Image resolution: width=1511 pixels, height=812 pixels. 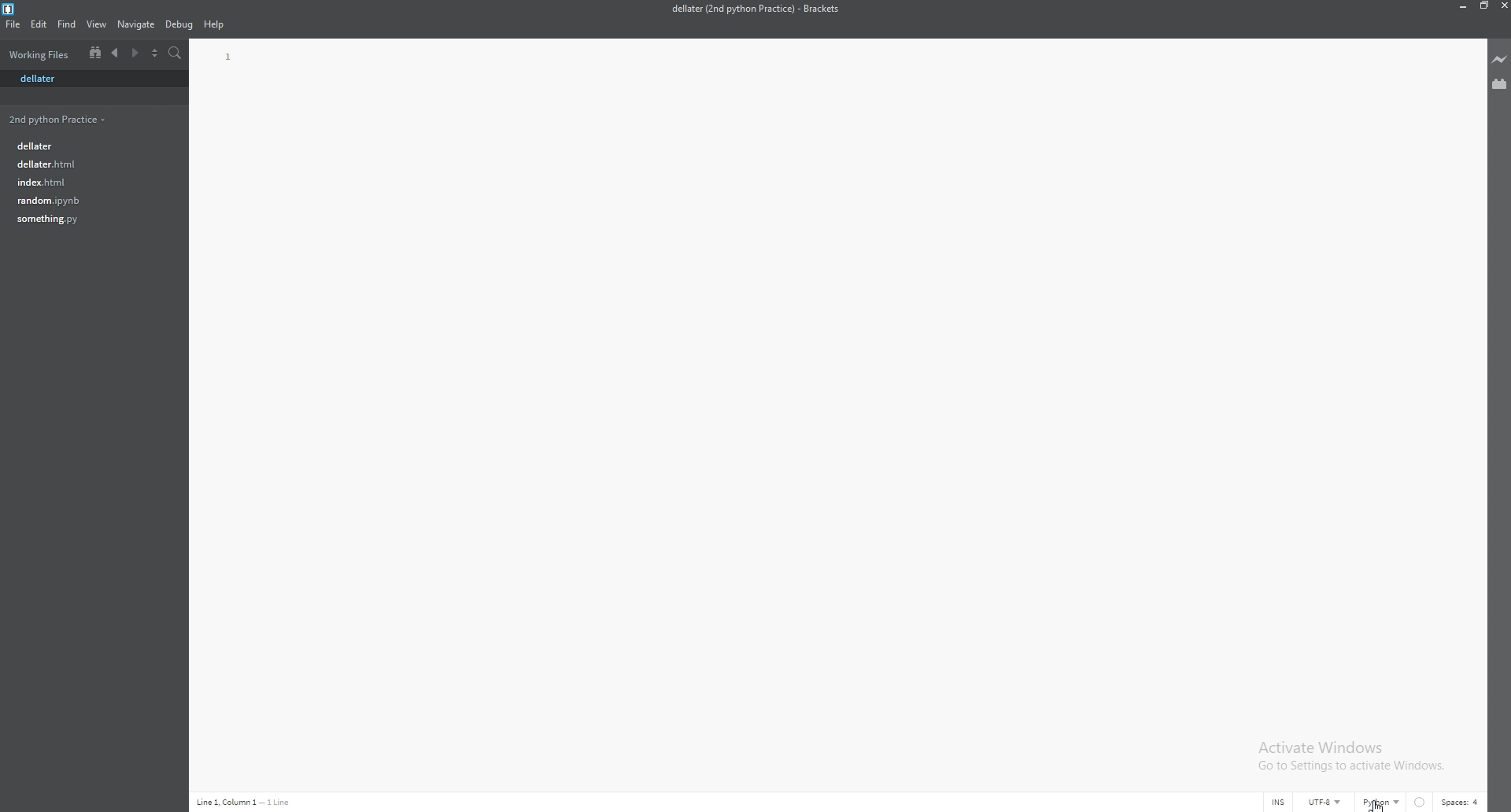 What do you see at coordinates (1500, 83) in the screenshot?
I see `extension manager` at bounding box center [1500, 83].